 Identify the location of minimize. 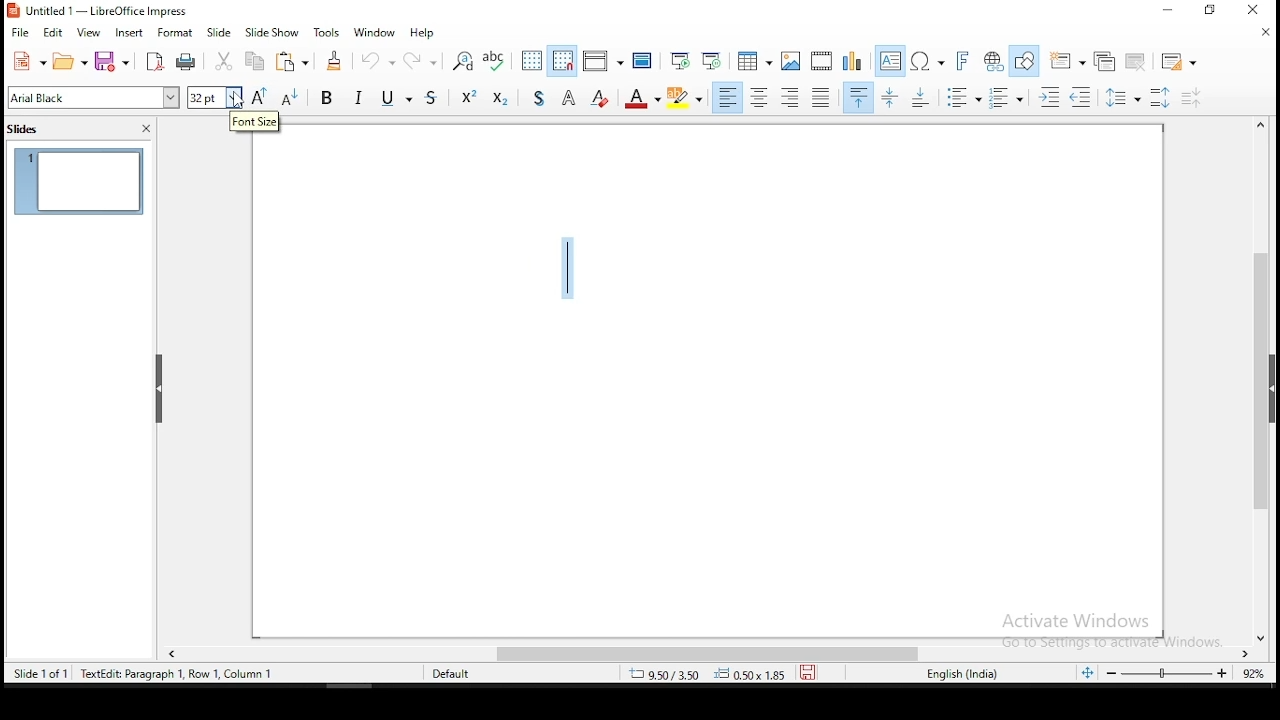
(1169, 10).